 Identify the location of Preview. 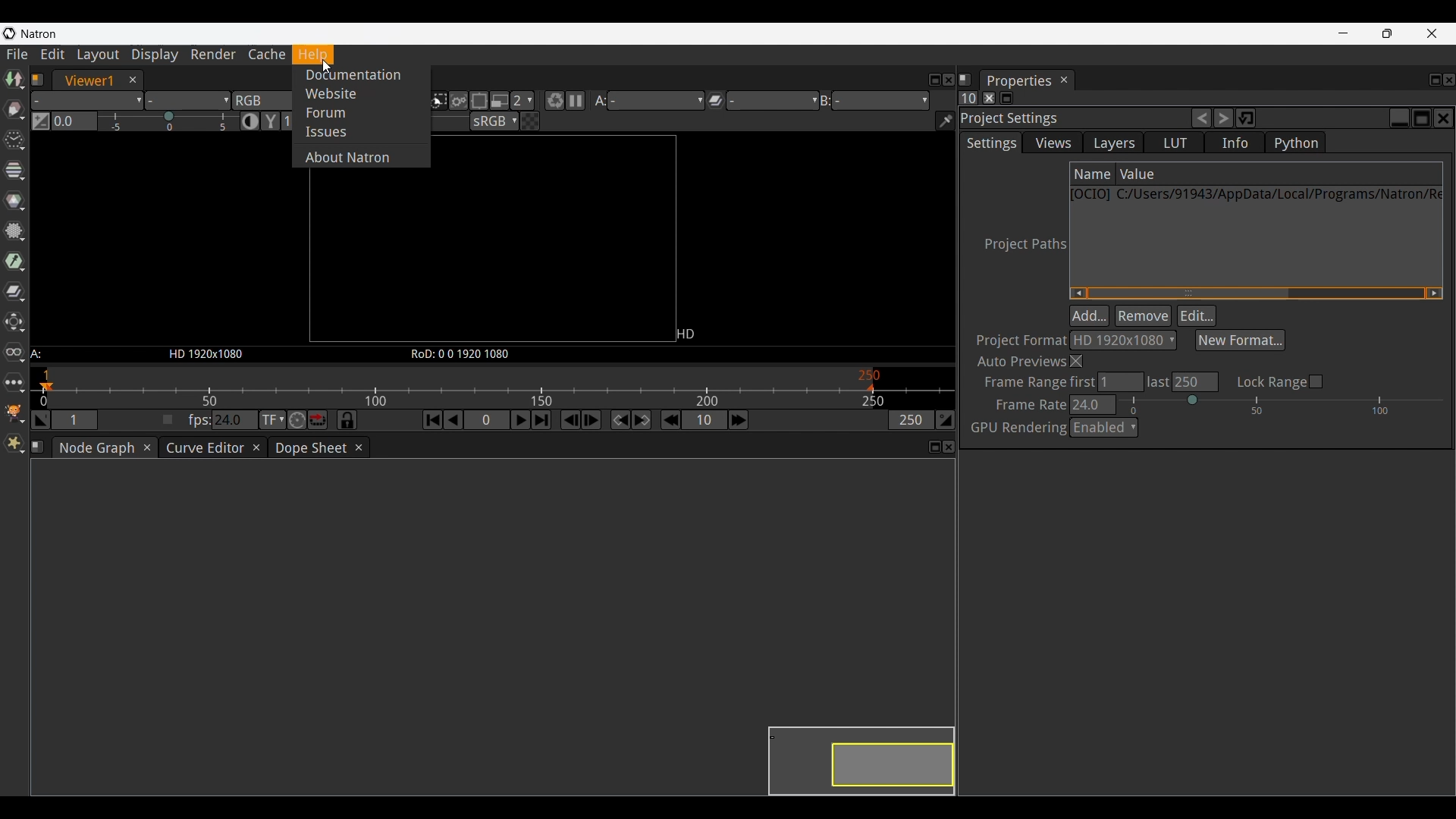
(843, 750).